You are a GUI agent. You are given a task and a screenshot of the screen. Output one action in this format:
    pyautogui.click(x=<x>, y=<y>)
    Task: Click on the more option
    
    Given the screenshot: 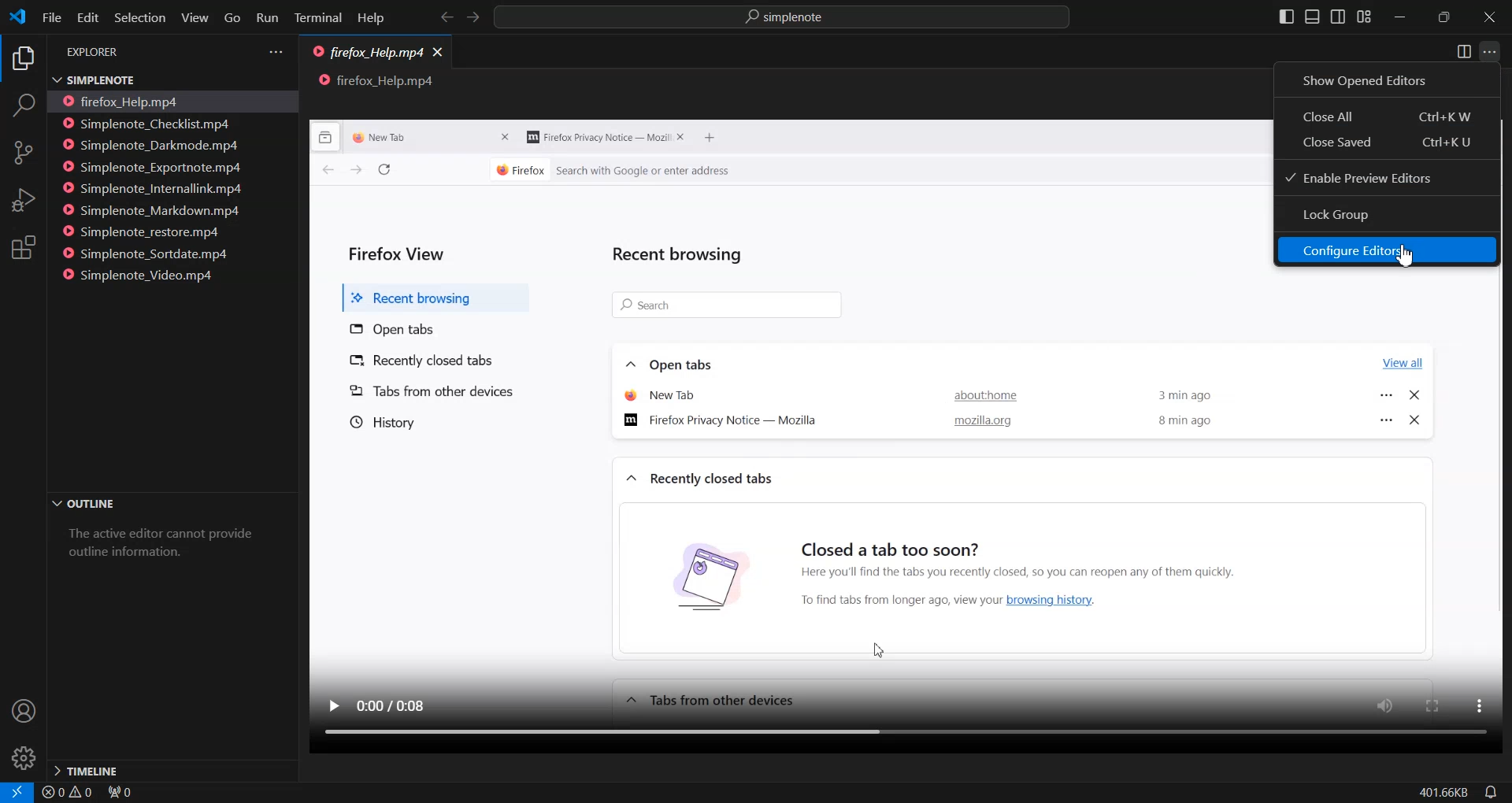 What is the action you would take?
    pyautogui.click(x=1477, y=707)
    